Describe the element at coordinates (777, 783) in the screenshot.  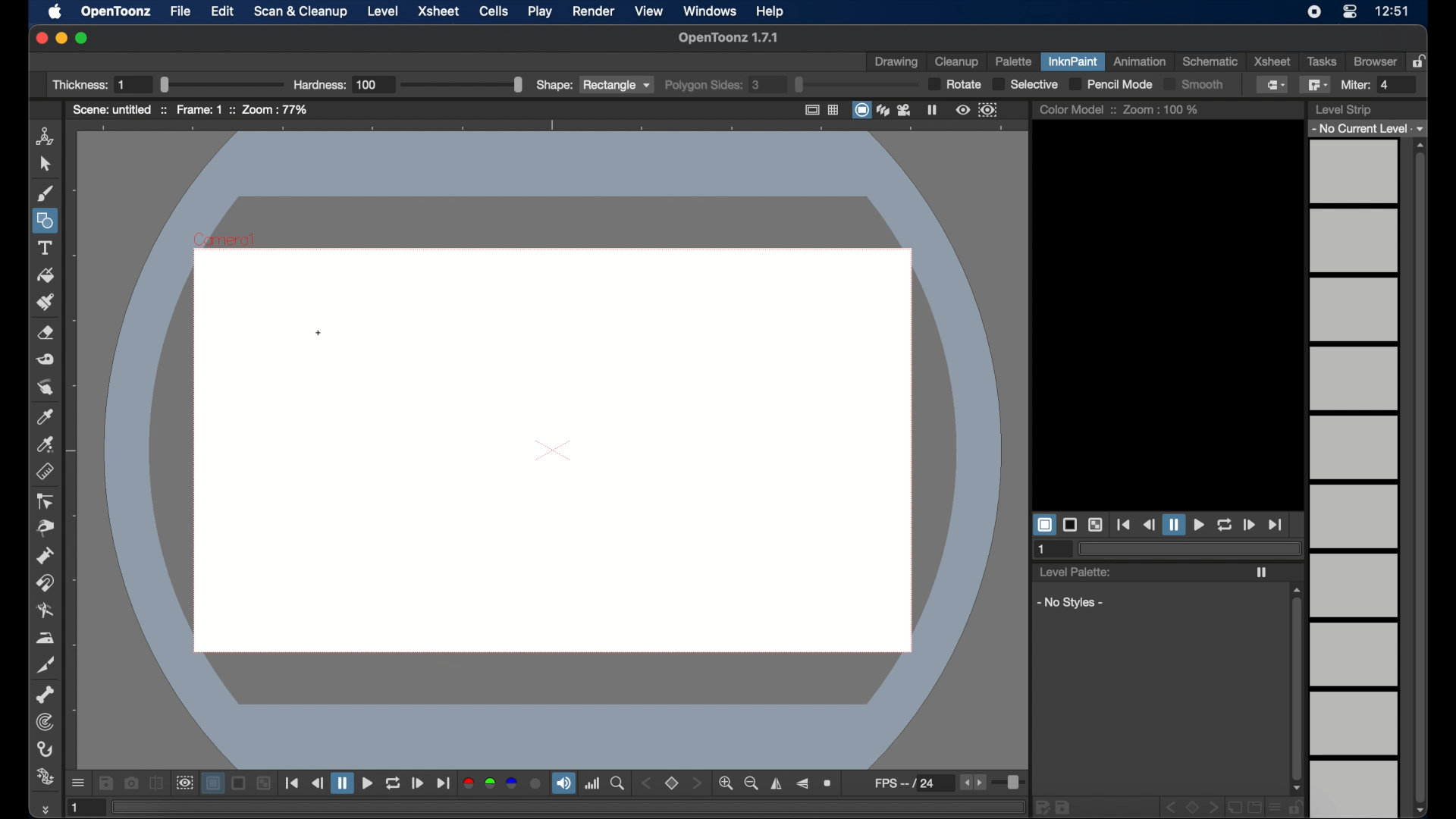
I see `flip horizontally` at that location.